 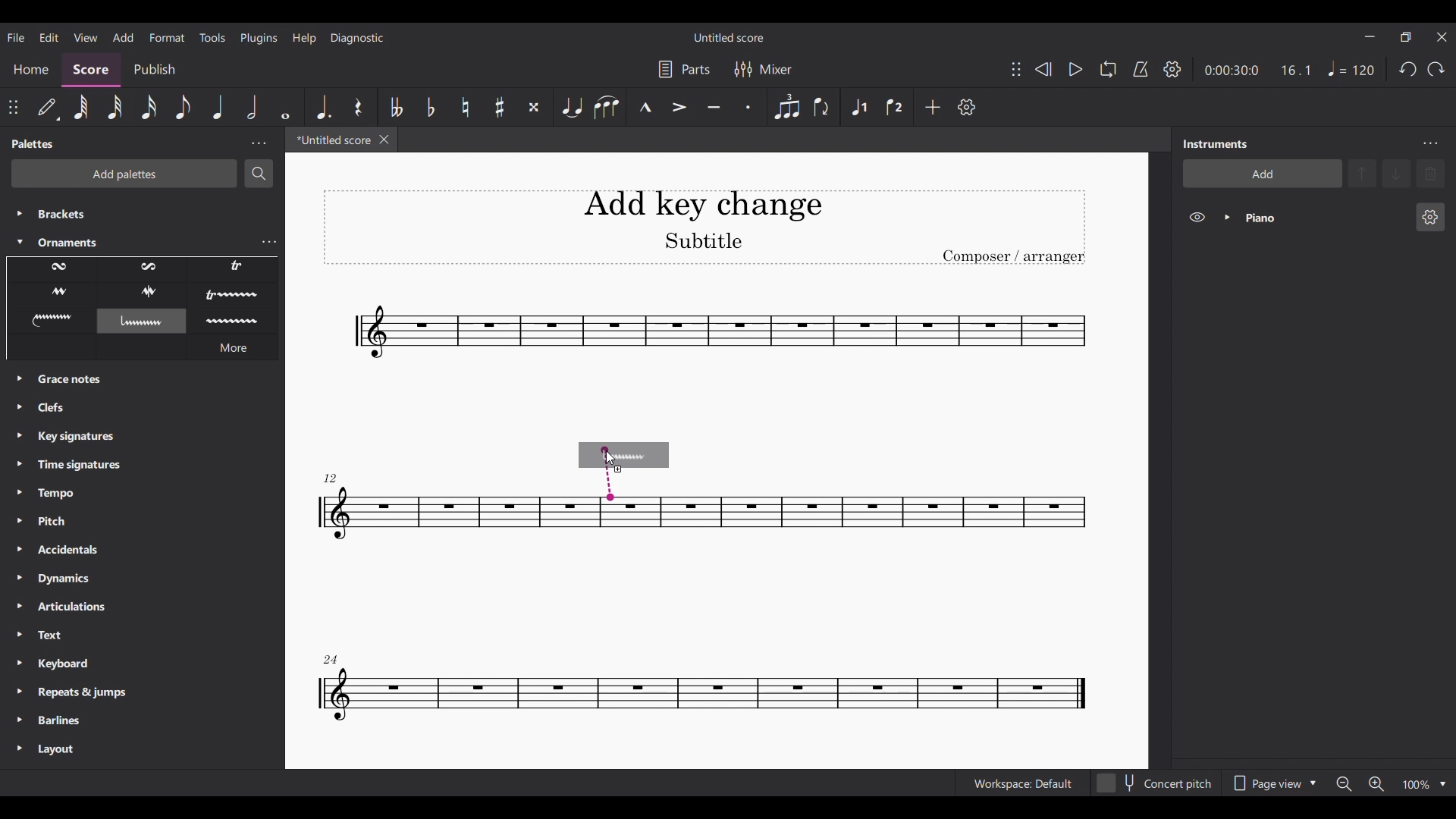 I want to click on Add, so click(x=933, y=106).